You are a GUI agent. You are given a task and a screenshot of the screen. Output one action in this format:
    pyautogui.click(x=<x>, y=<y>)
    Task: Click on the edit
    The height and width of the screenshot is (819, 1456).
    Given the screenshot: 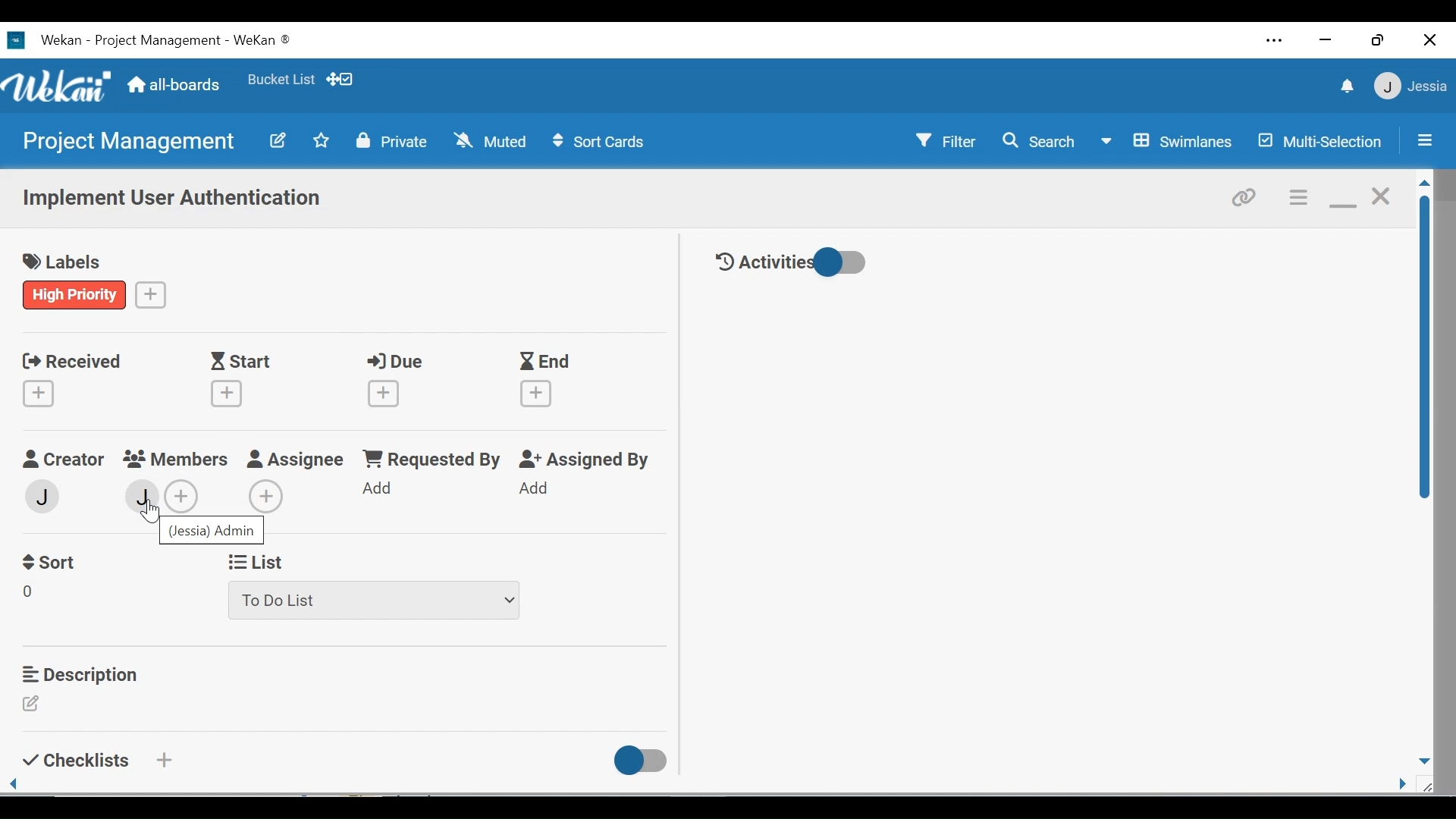 What is the action you would take?
    pyautogui.click(x=31, y=595)
    